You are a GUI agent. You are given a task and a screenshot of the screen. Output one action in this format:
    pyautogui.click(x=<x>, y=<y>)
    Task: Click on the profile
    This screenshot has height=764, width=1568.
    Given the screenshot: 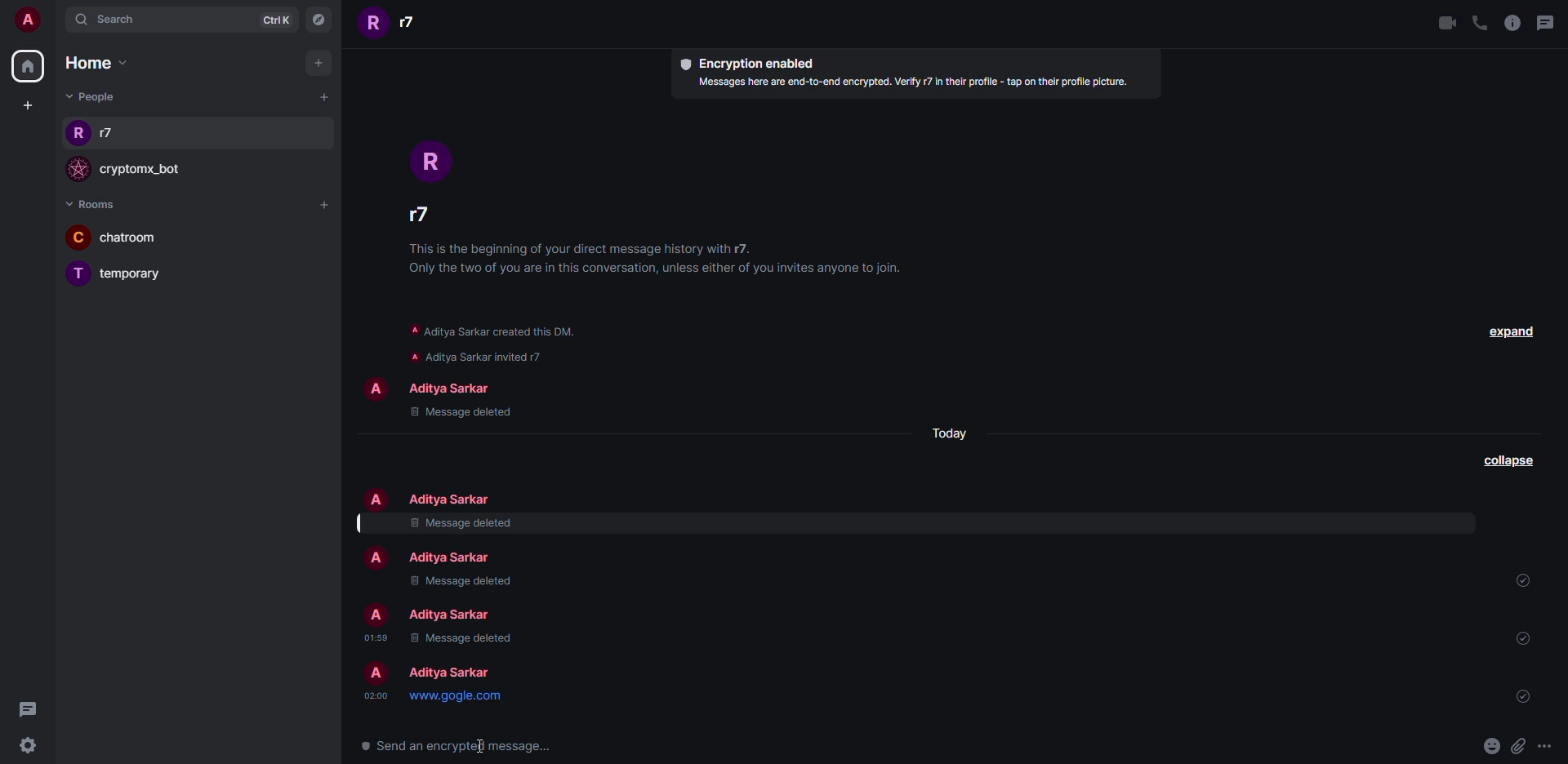 What is the action you would take?
    pyautogui.click(x=372, y=24)
    